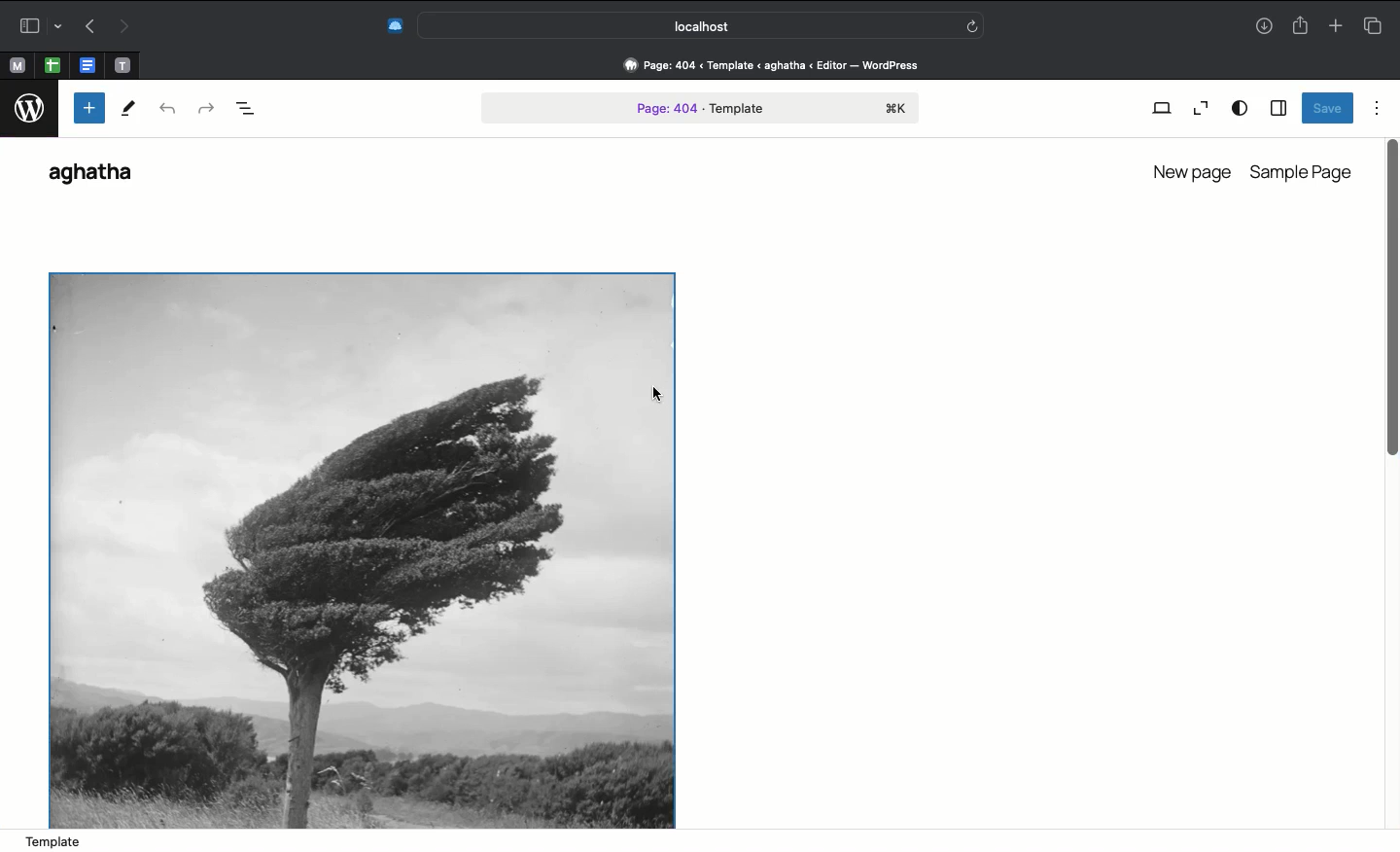  What do you see at coordinates (51, 65) in the screenshot?
I see `open tab, google sheet` at bounding box center [51, 65].